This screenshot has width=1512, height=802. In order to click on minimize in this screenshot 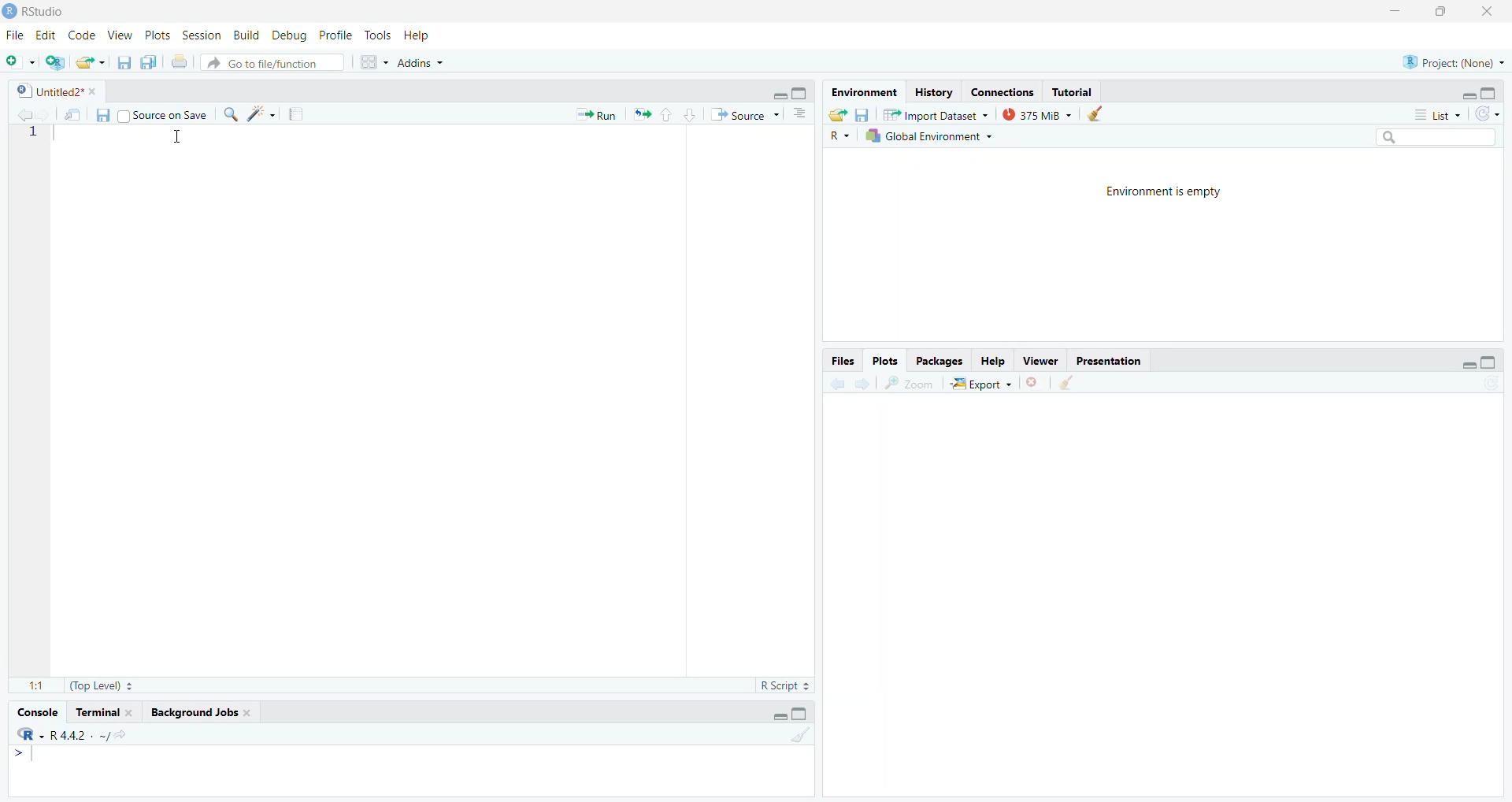, I will do `click(1395, 13)`.